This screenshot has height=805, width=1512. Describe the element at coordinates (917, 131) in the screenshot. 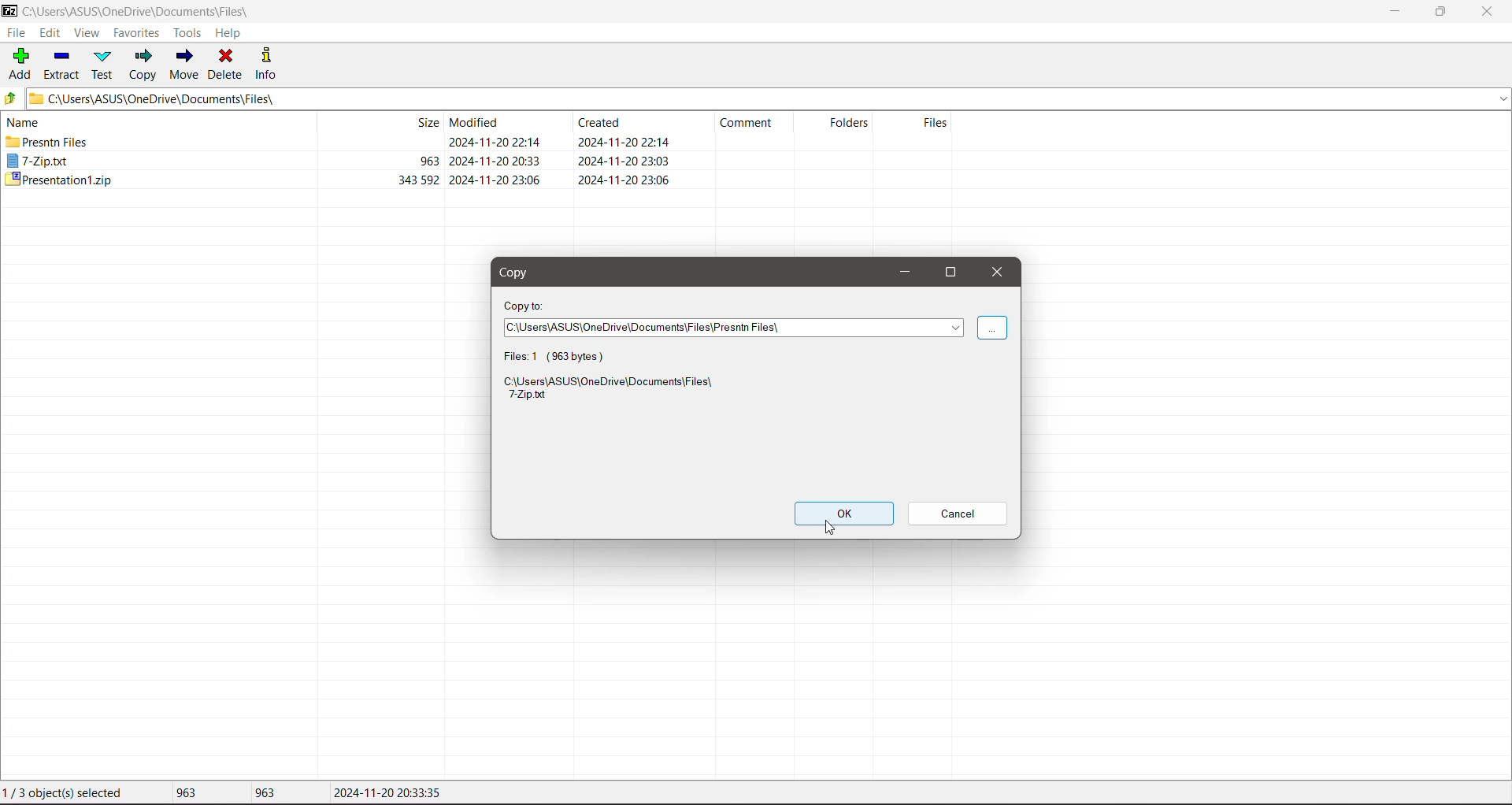

I see `Files` at that location.